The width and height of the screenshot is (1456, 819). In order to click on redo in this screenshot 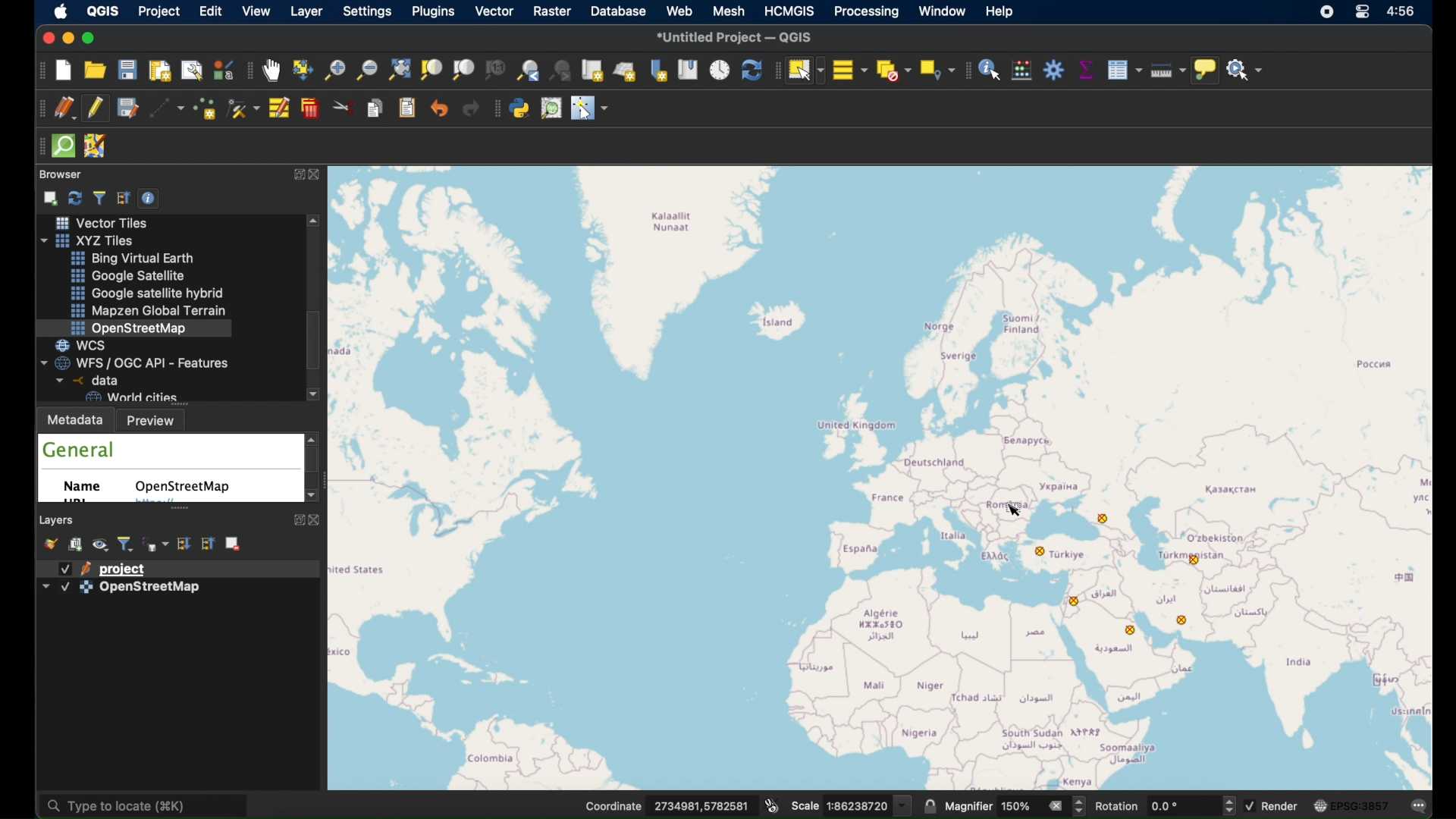, I will do `click(471, 109)`.